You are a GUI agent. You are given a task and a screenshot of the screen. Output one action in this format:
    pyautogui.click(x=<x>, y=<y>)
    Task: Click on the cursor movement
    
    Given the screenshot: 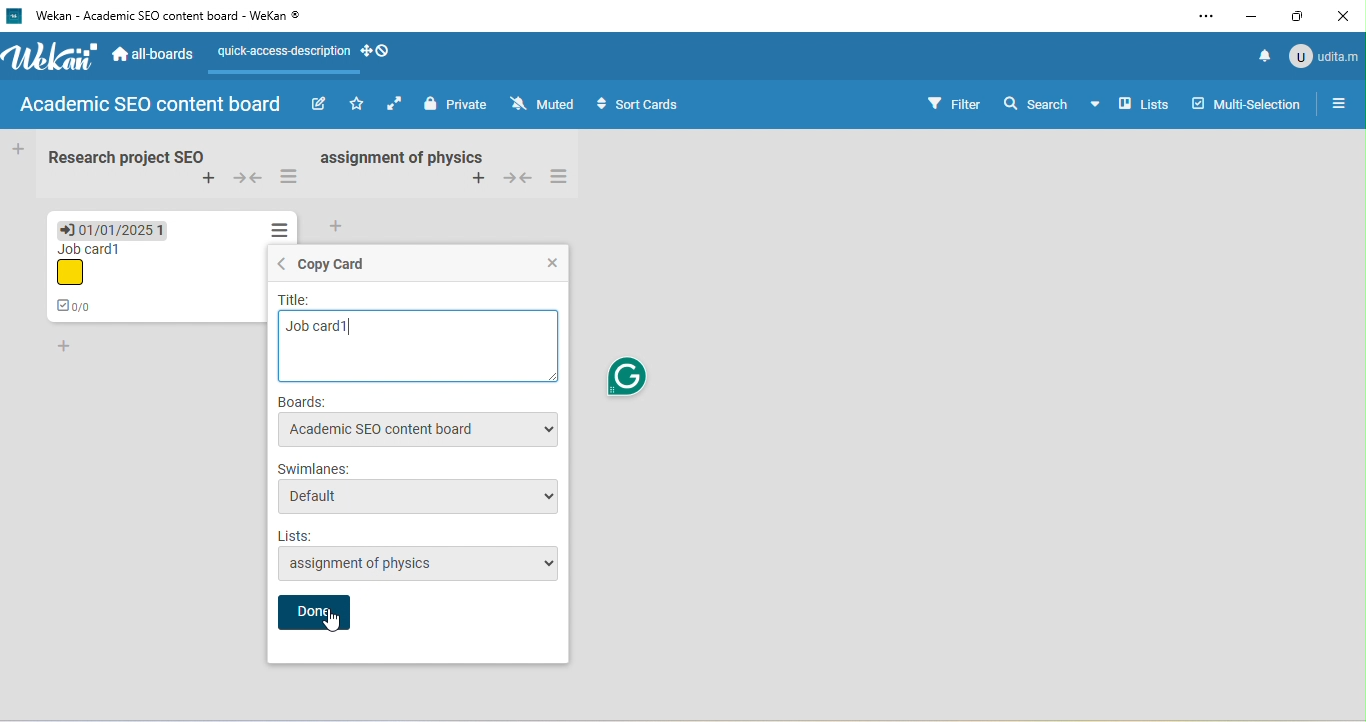 What is the action you would take?
    pyautogui.click(x=334, y=621)
    